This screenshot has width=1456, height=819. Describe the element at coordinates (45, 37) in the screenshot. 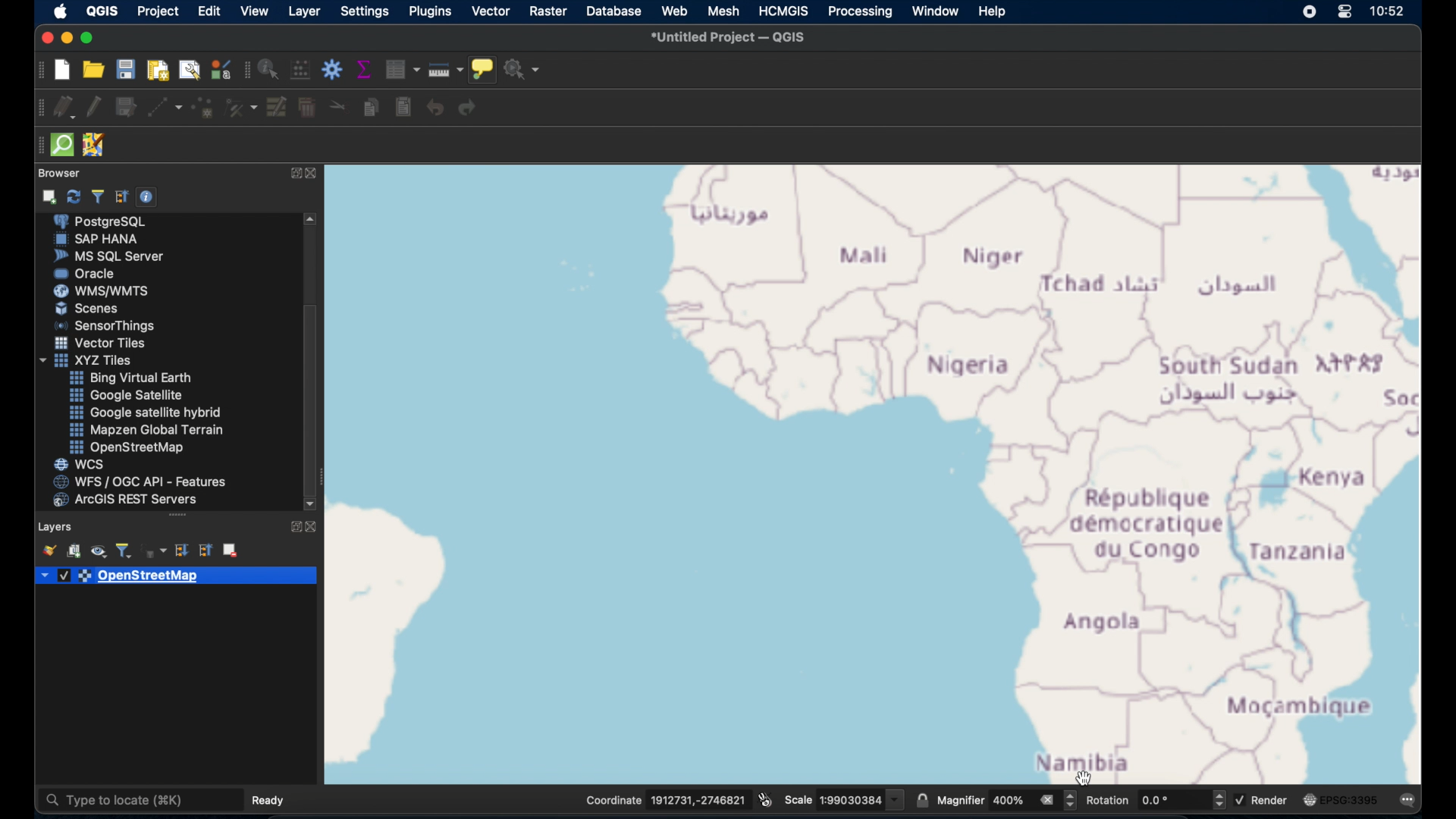

I see `close` at that location.